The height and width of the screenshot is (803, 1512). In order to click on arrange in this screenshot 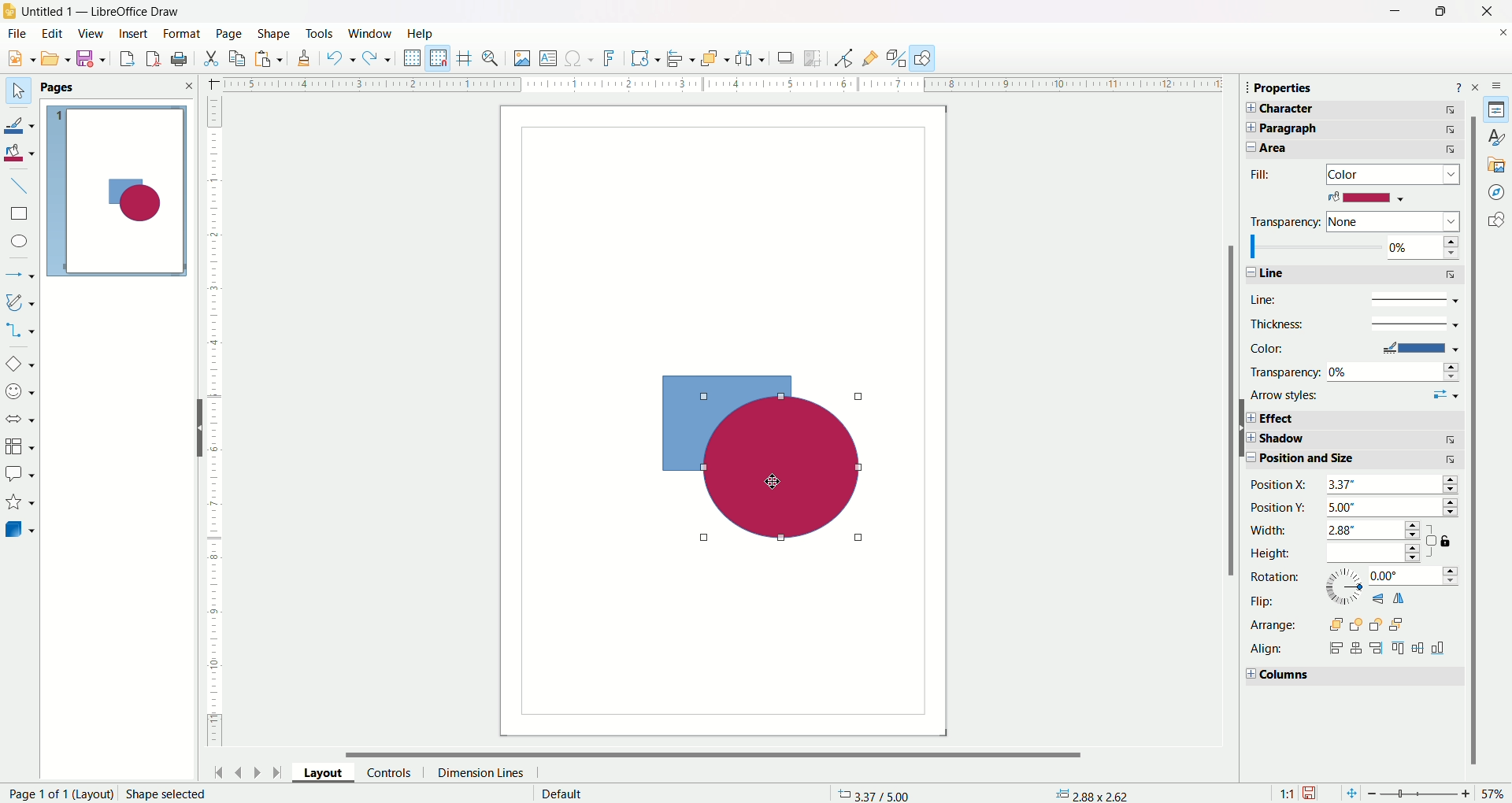, I will do `click(1332, 624)`.